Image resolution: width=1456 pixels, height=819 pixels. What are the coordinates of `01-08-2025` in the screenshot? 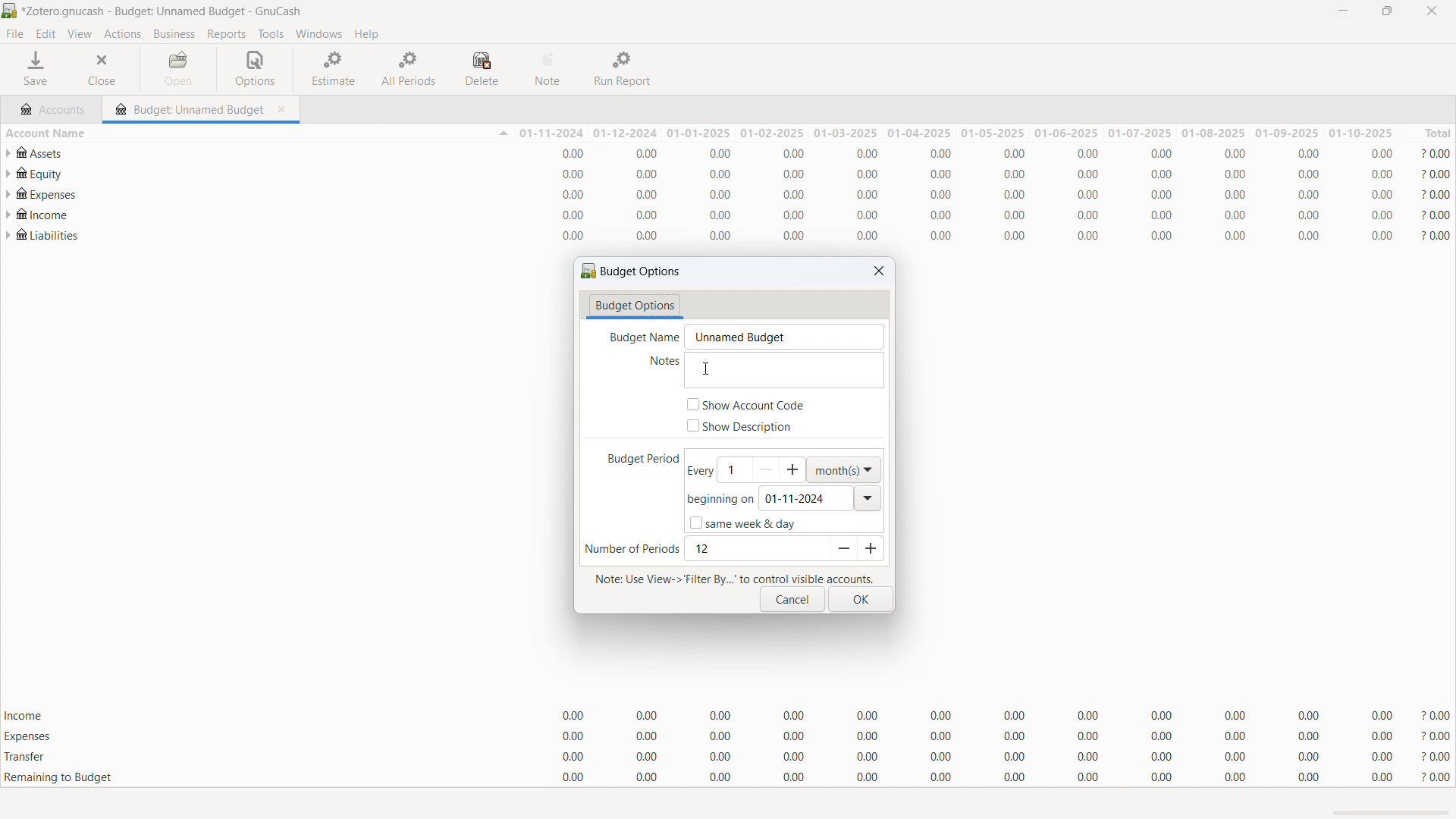 It's located at (1215, 133).